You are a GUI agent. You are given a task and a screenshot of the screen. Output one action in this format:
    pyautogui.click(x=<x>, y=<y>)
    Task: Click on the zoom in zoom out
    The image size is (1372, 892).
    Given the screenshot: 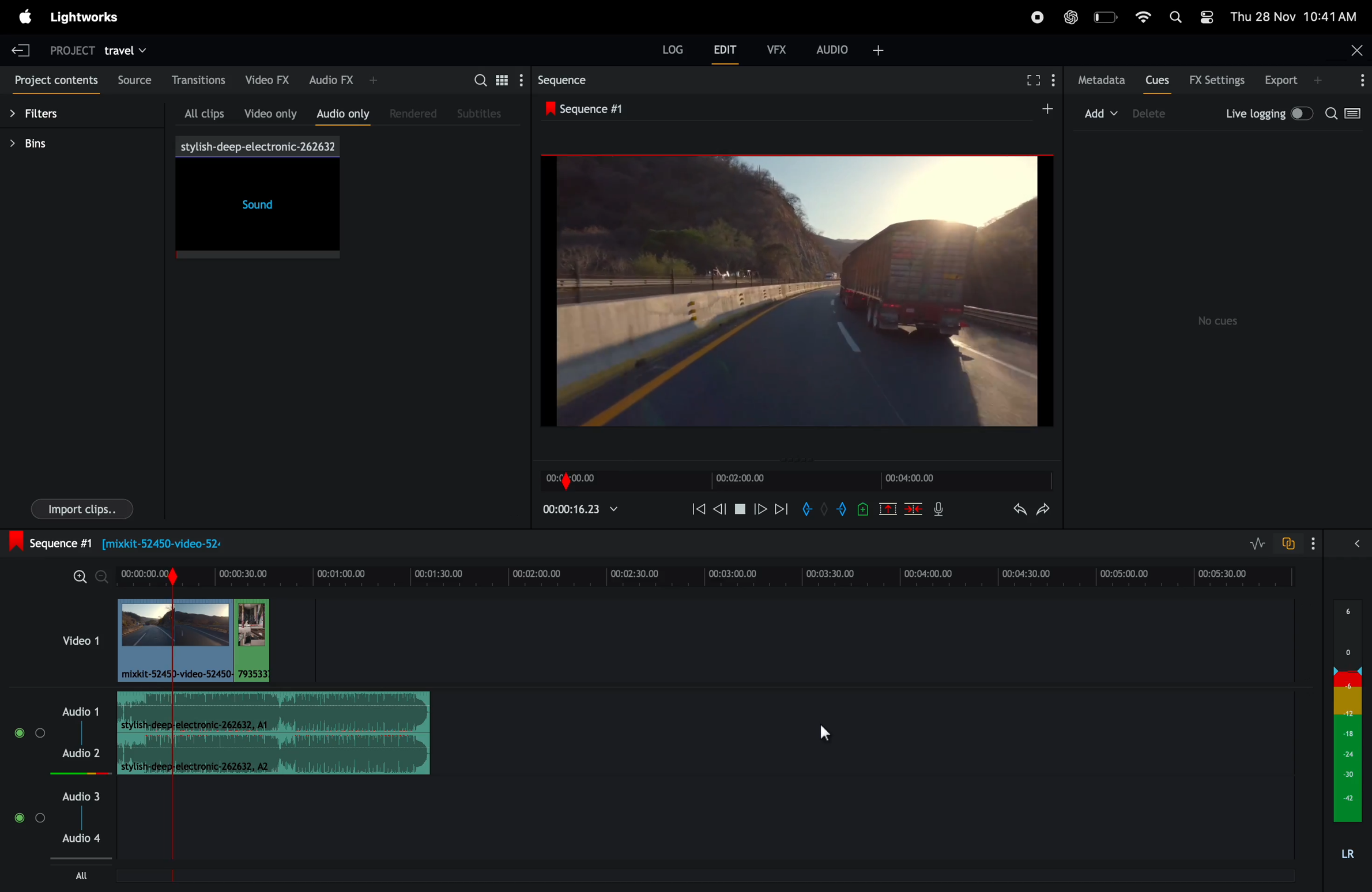 What is the action you would take?
    pyautogui.click(x=89, y=577)
    